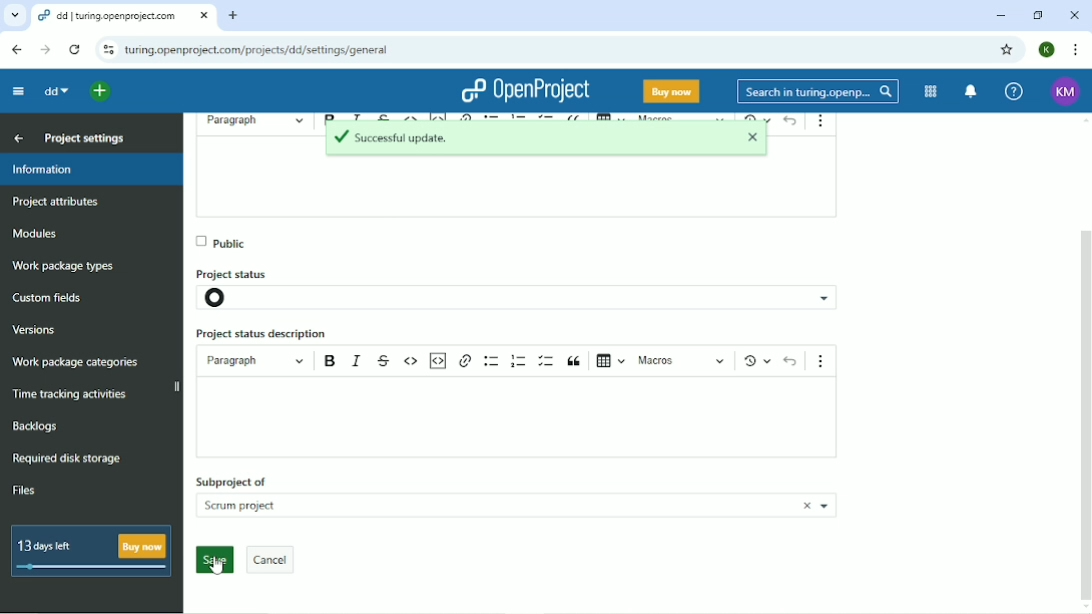 This screenshot has height=614, width=1092. I want to click on closee, so click(756, 139).